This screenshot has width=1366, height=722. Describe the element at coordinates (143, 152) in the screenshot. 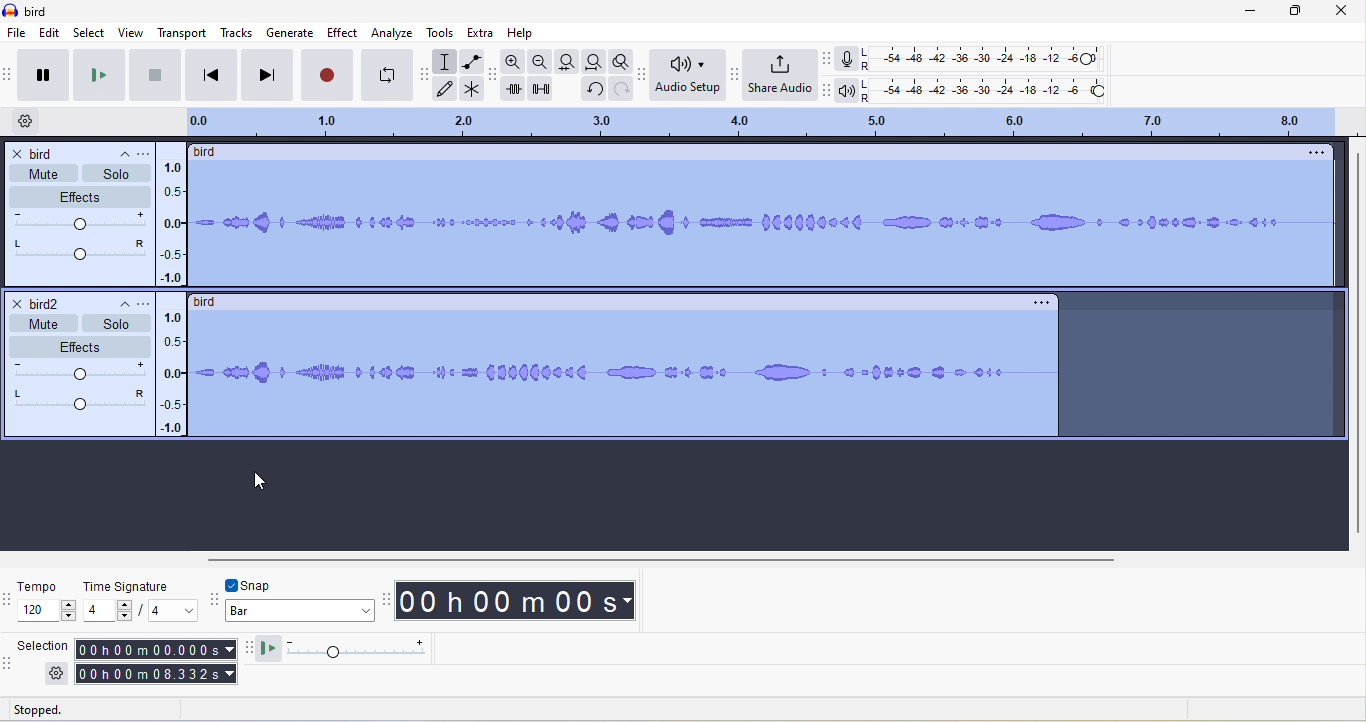

I see `open menu` at that location.